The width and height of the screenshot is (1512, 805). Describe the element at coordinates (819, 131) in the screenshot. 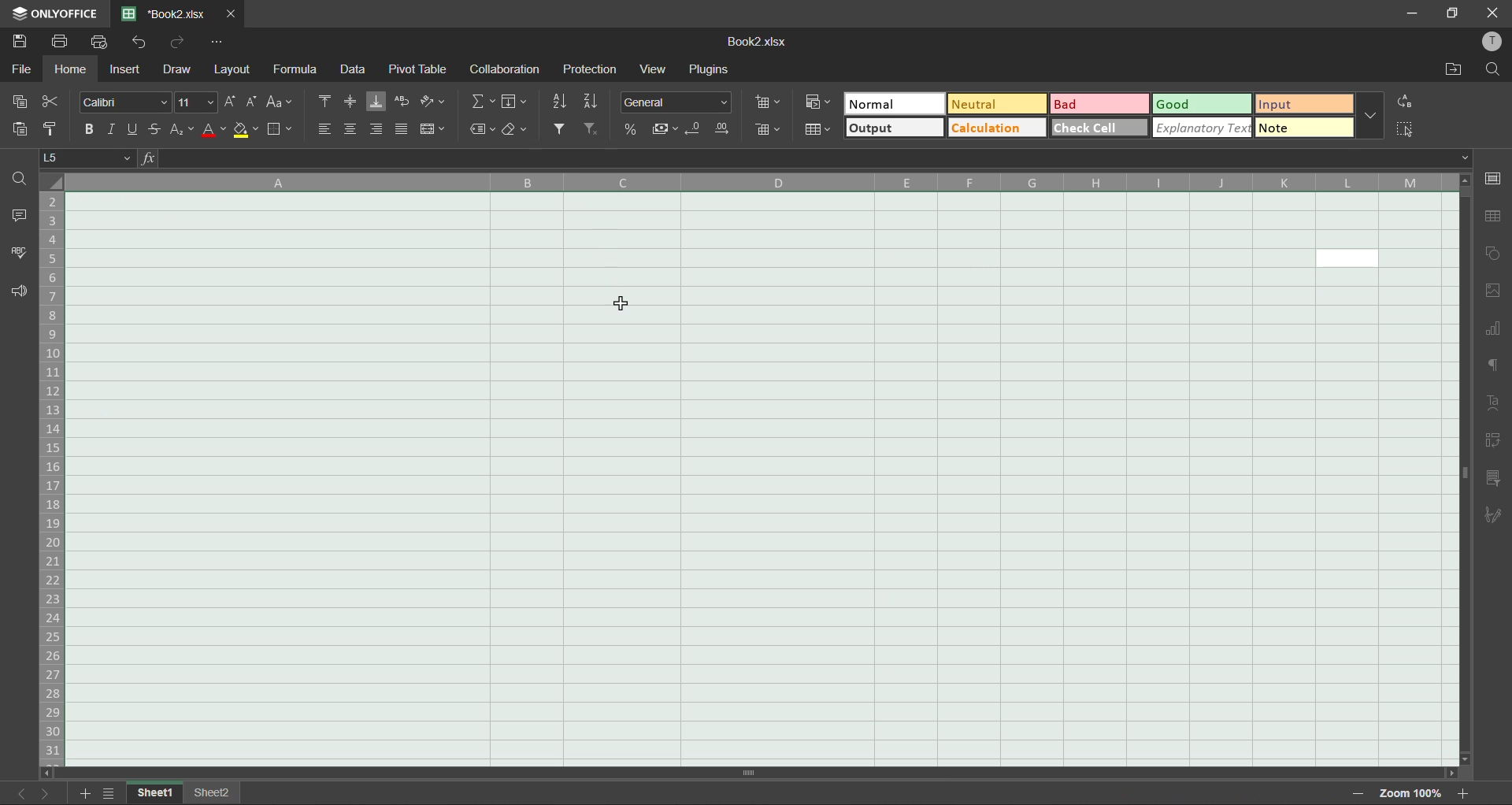

I see `format as table` at that location.